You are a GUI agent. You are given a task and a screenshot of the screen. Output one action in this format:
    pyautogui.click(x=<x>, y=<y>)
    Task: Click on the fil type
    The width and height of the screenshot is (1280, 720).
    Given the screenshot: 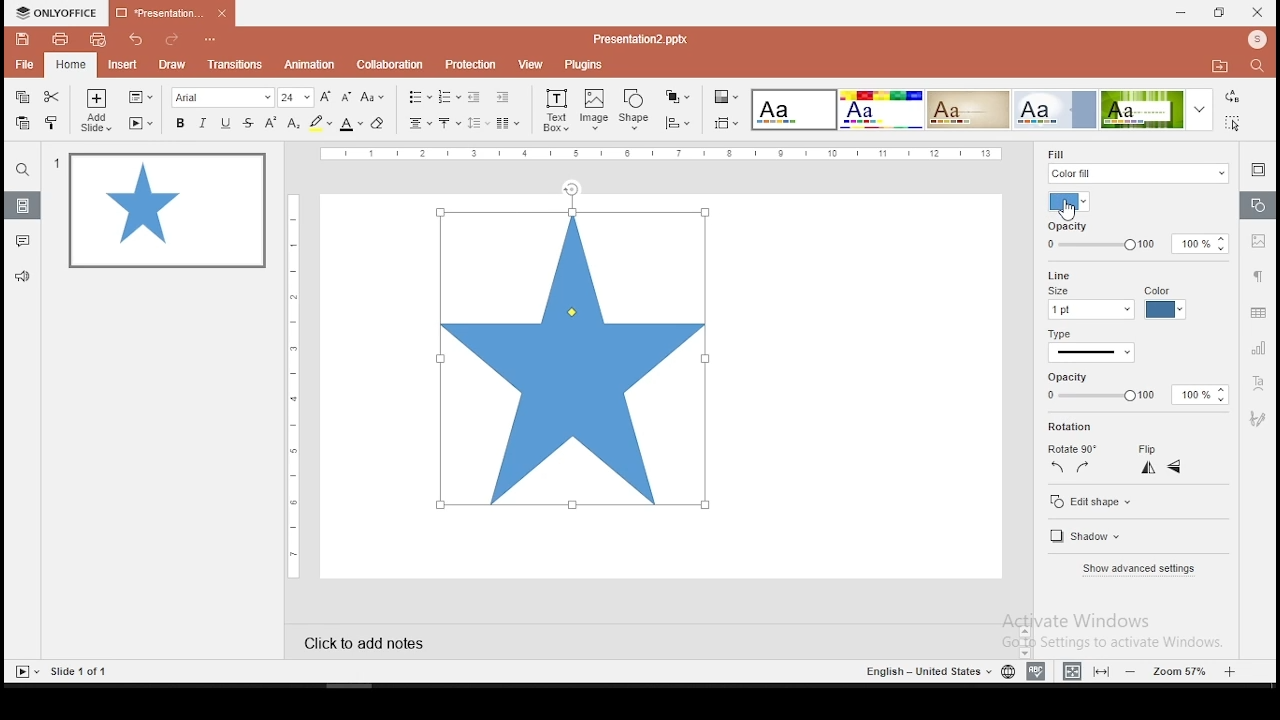 What is the action you would take?
    pyautogui.click(x=1138, y=166)
    